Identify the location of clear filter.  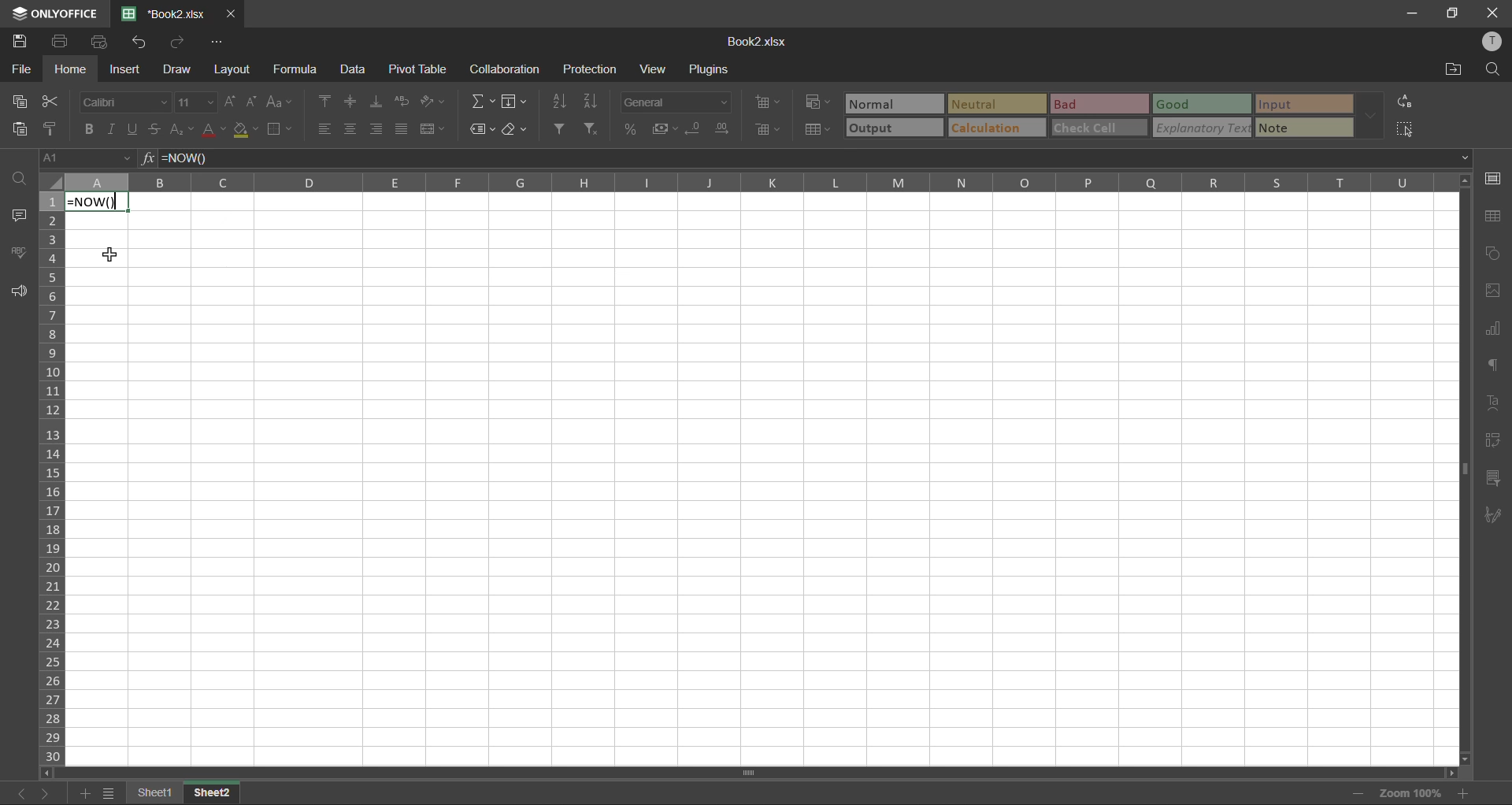
(592, 127).